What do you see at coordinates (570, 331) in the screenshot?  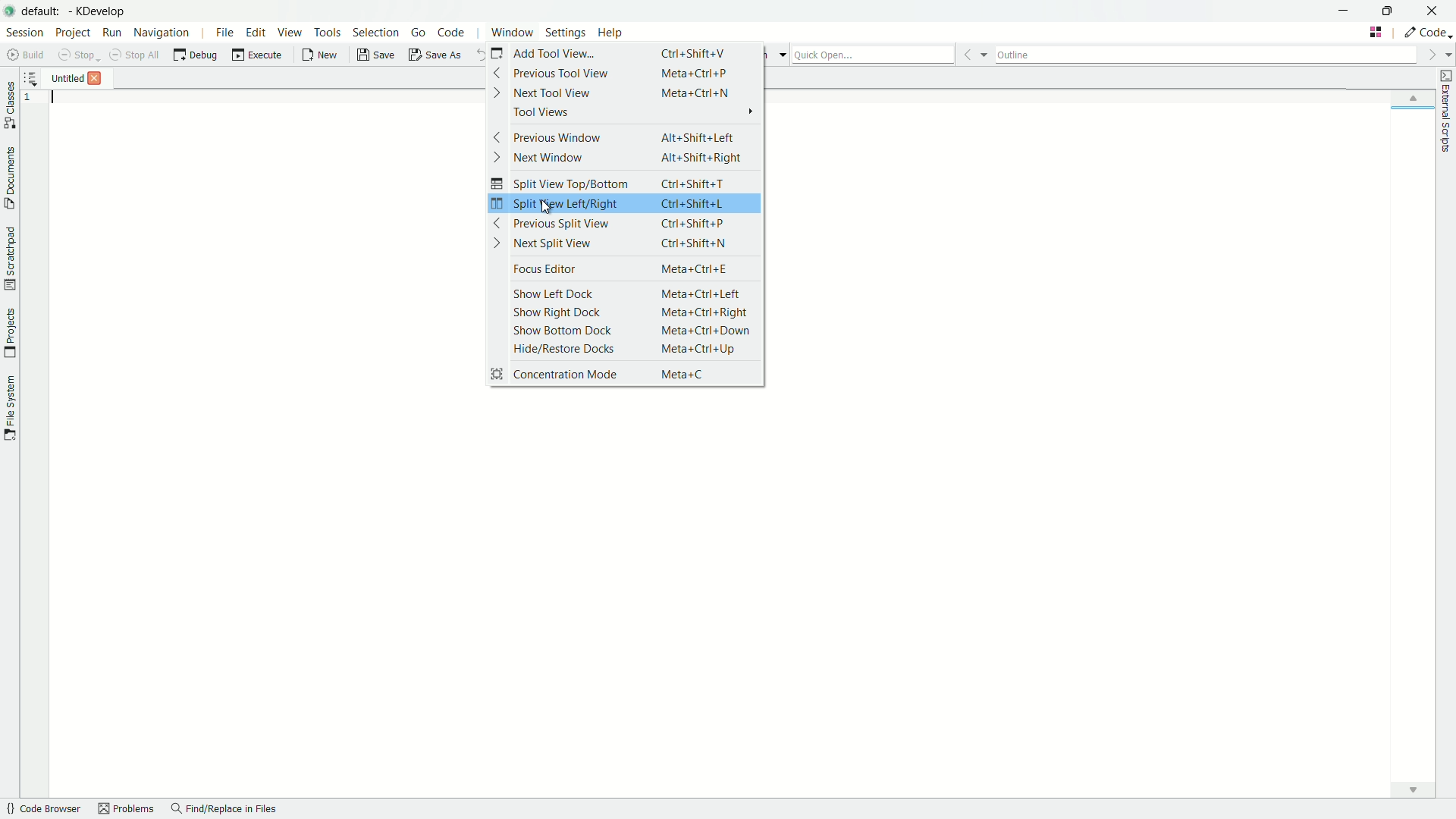 I see `show bottom dock` at bounding box center [570, 331].